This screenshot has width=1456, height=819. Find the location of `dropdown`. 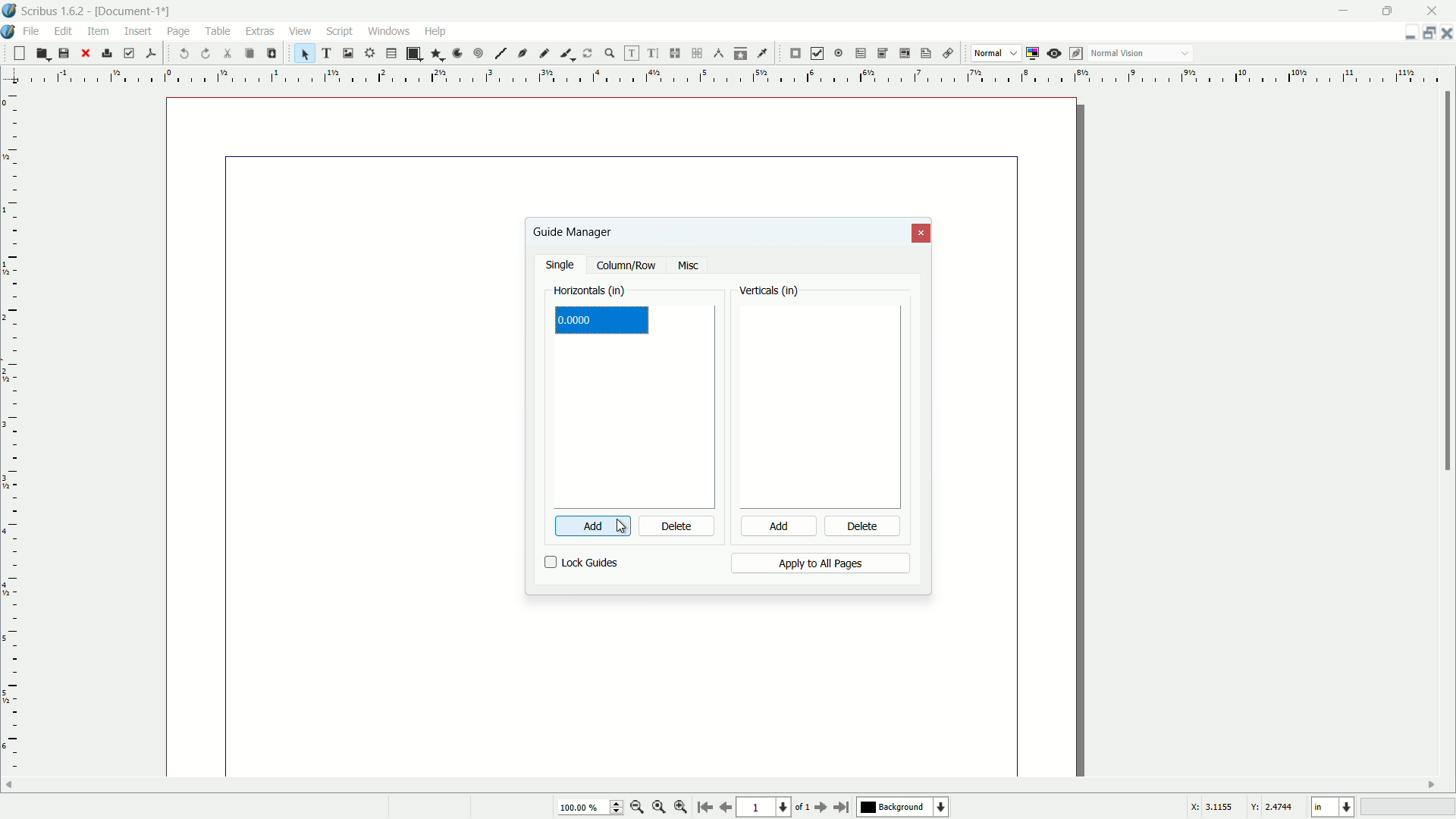

dropdown is located at coordinates (1185, 55).